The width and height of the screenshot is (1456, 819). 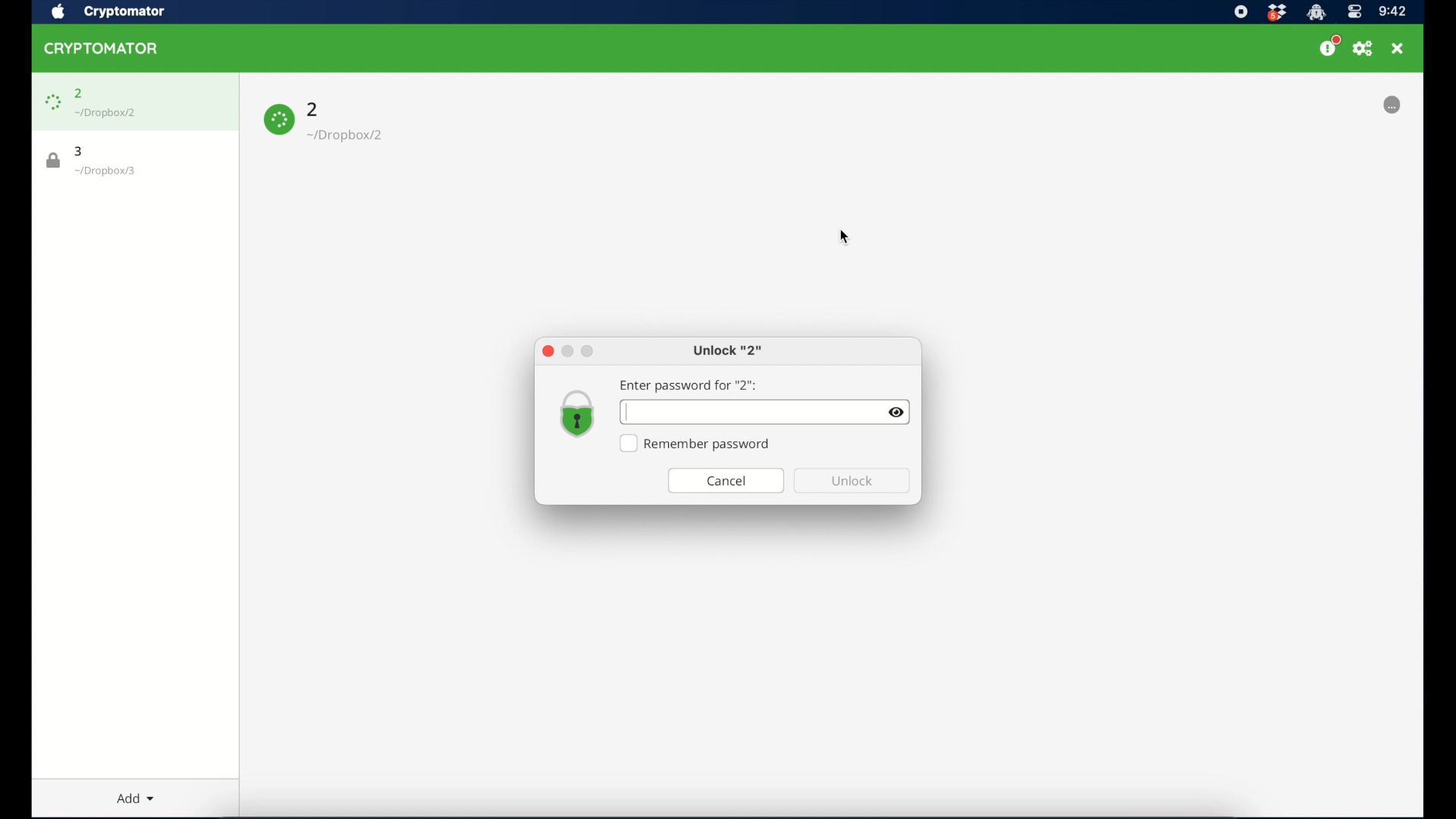 I want to click on 2, so click(x=313, y=108).